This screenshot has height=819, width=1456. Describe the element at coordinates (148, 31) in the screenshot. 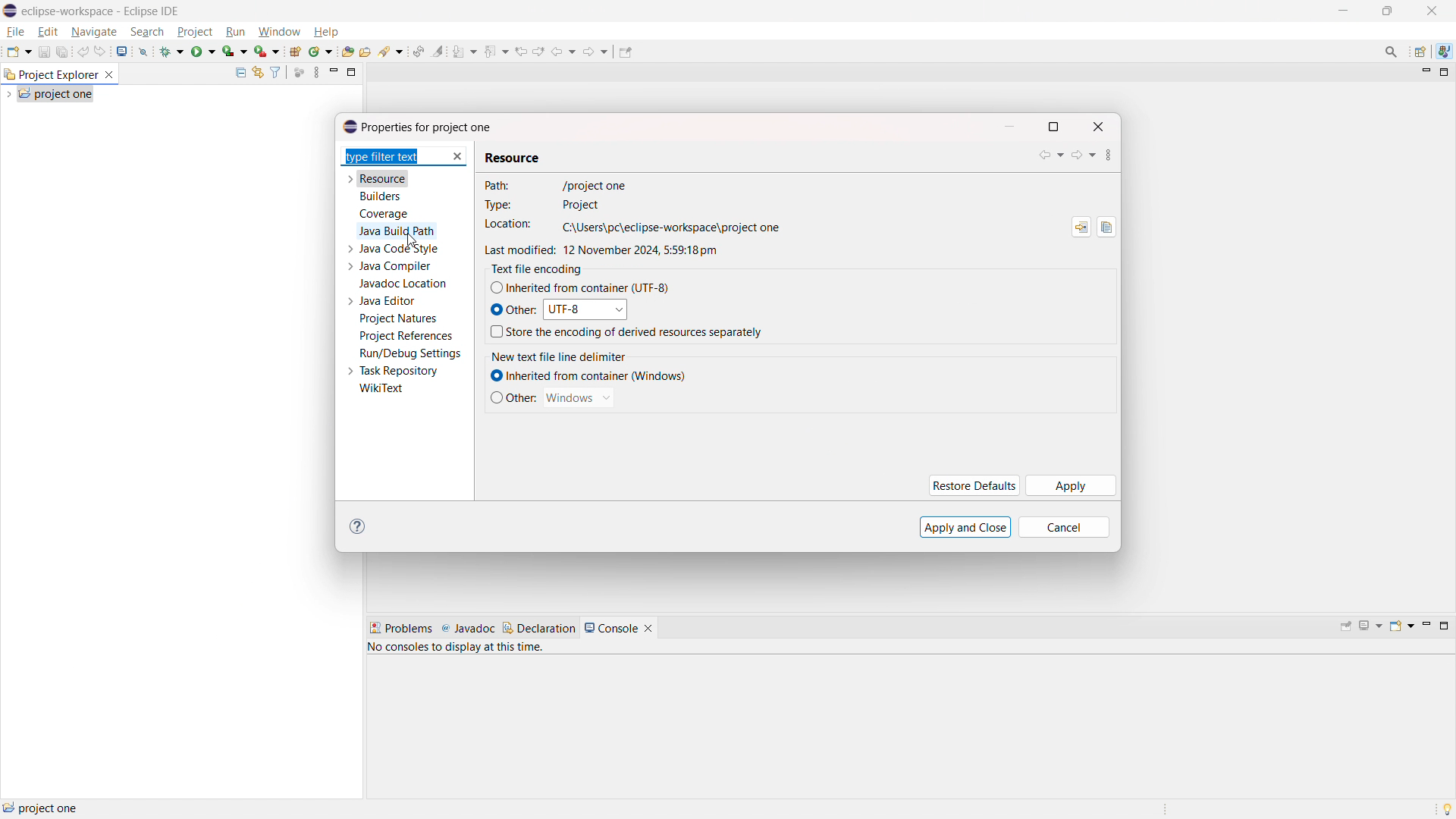

I see `search` at that location.